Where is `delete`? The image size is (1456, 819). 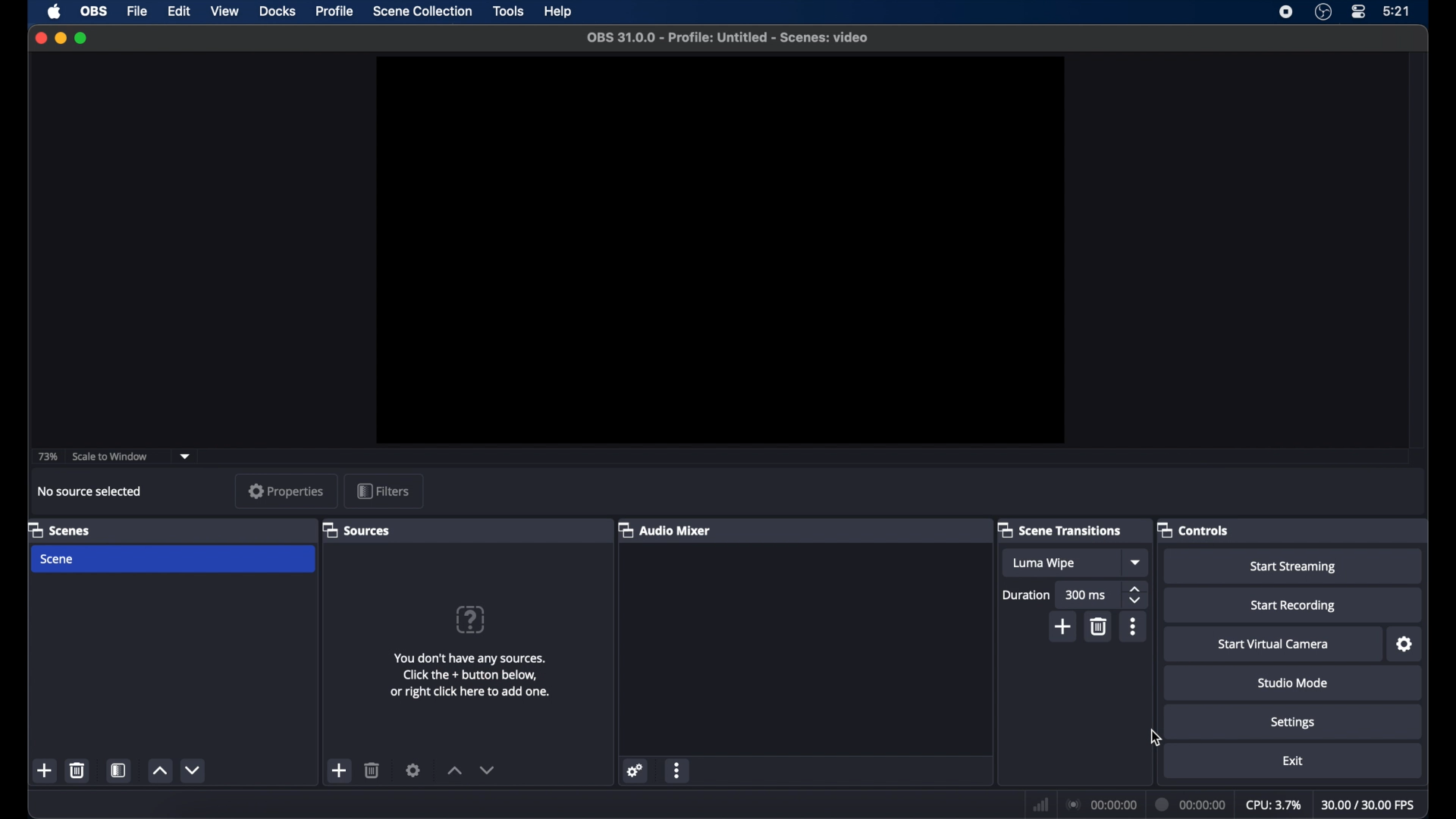 delete is located at coordinates (1100, 626).